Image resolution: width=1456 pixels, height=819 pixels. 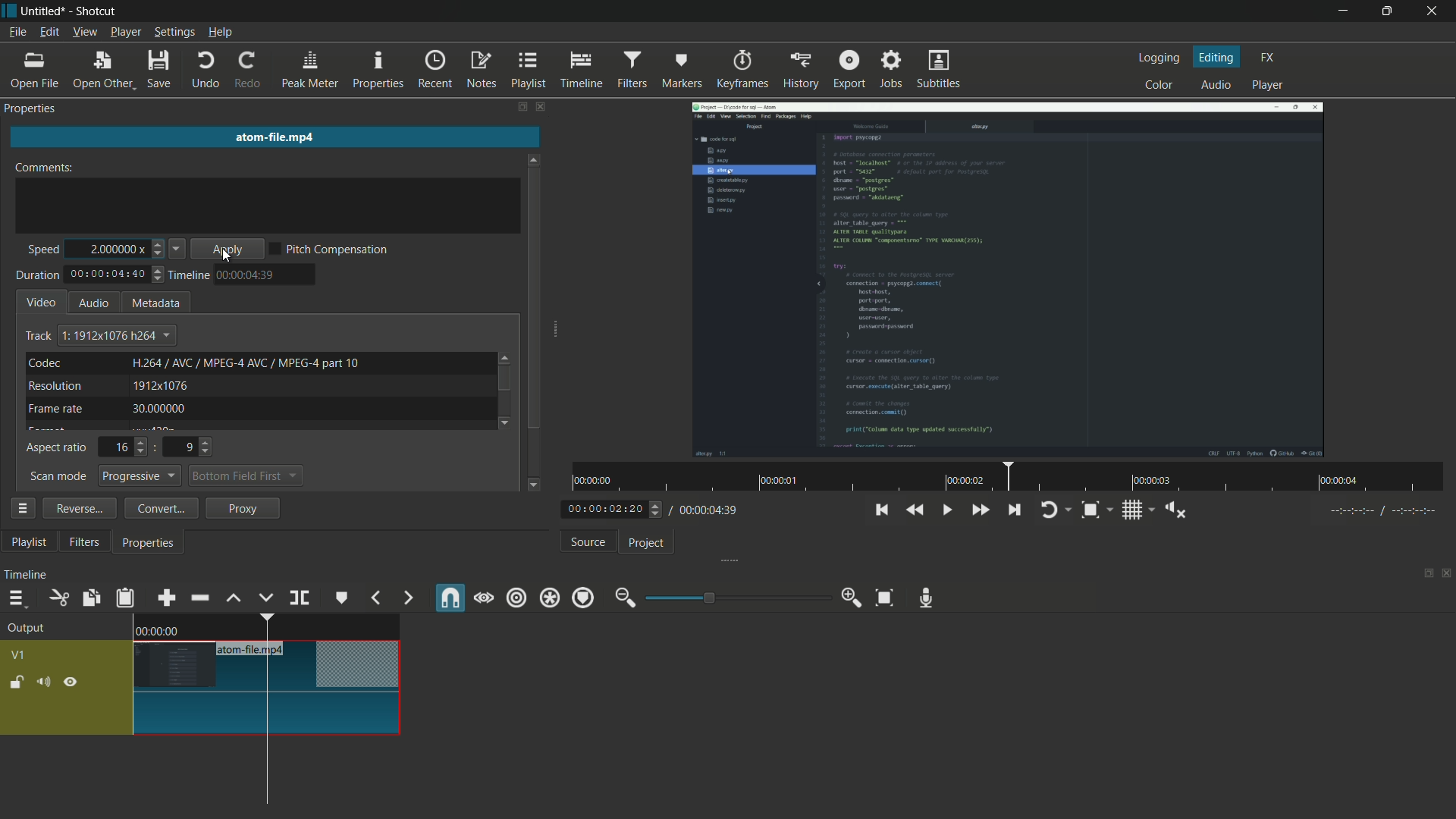 What do you see at coordinates (449, 598) in the screenshot?
I see `snap` at bounding box center [449, 598].